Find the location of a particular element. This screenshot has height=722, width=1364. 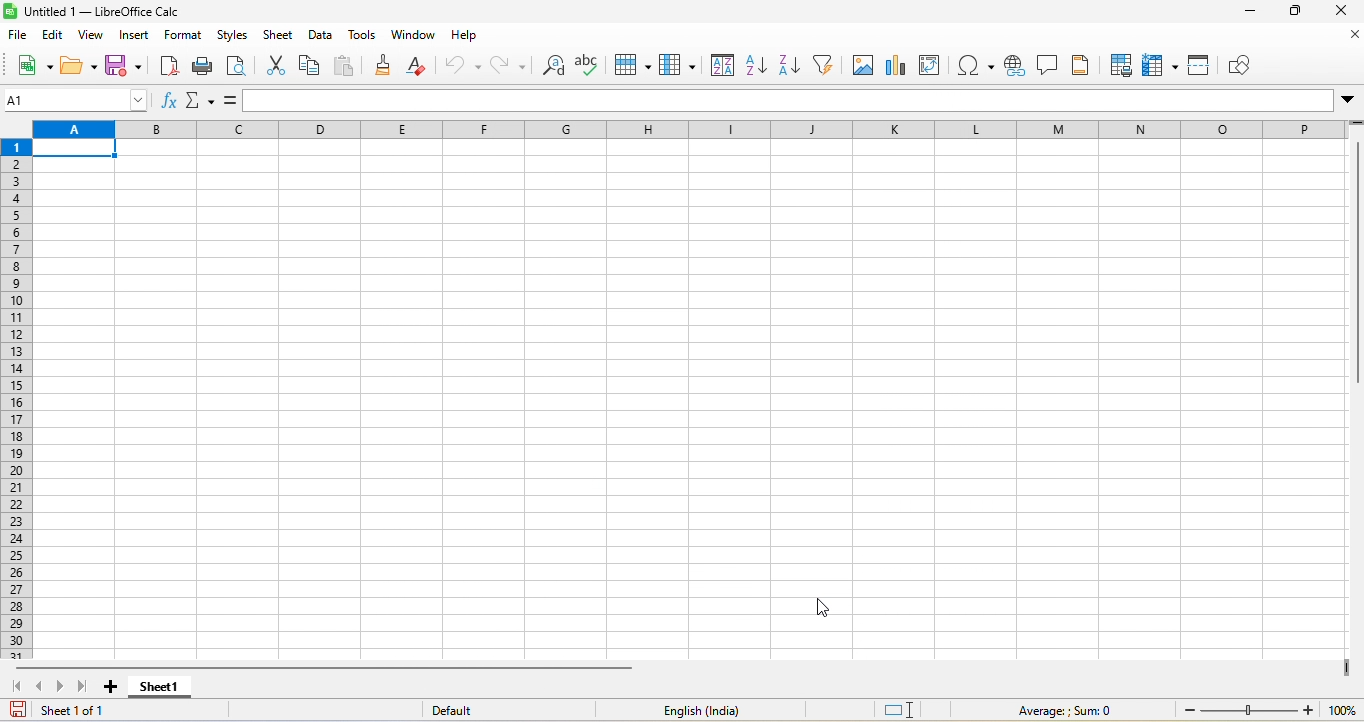

formula bar is located at coordinates (796, 101).